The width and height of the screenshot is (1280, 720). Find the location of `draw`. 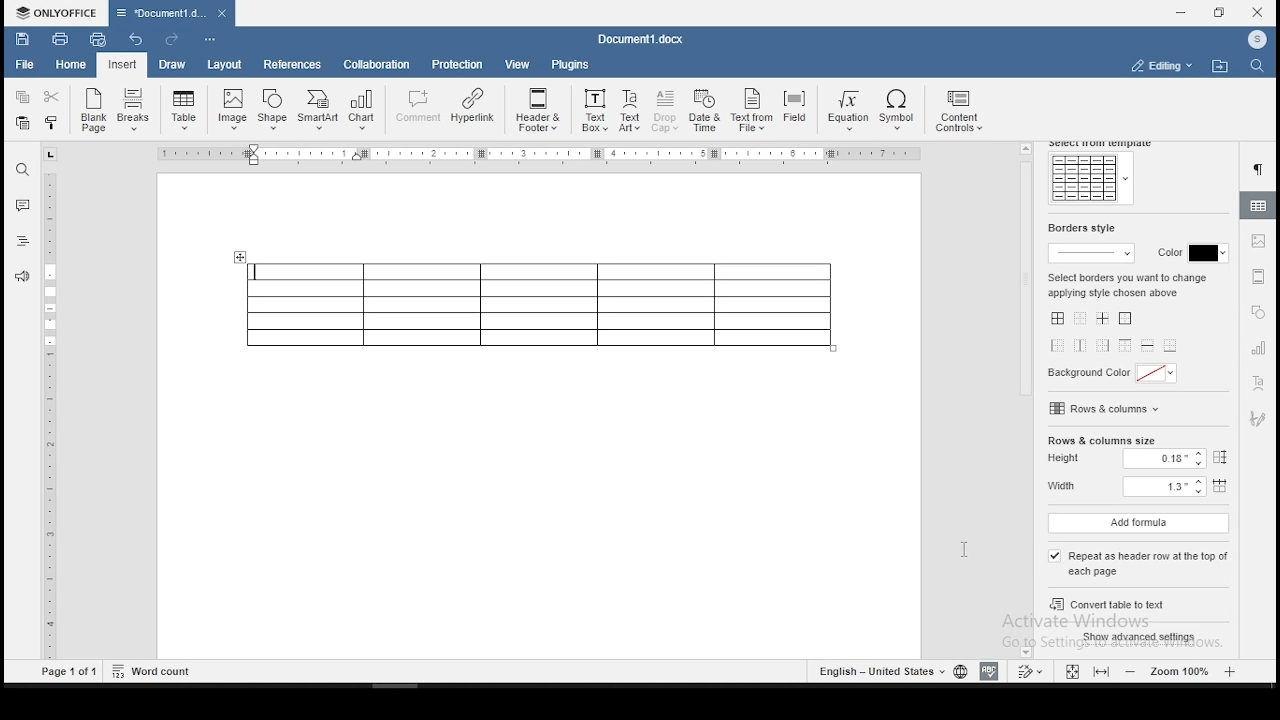

draw is located at coordinates (172, 66).